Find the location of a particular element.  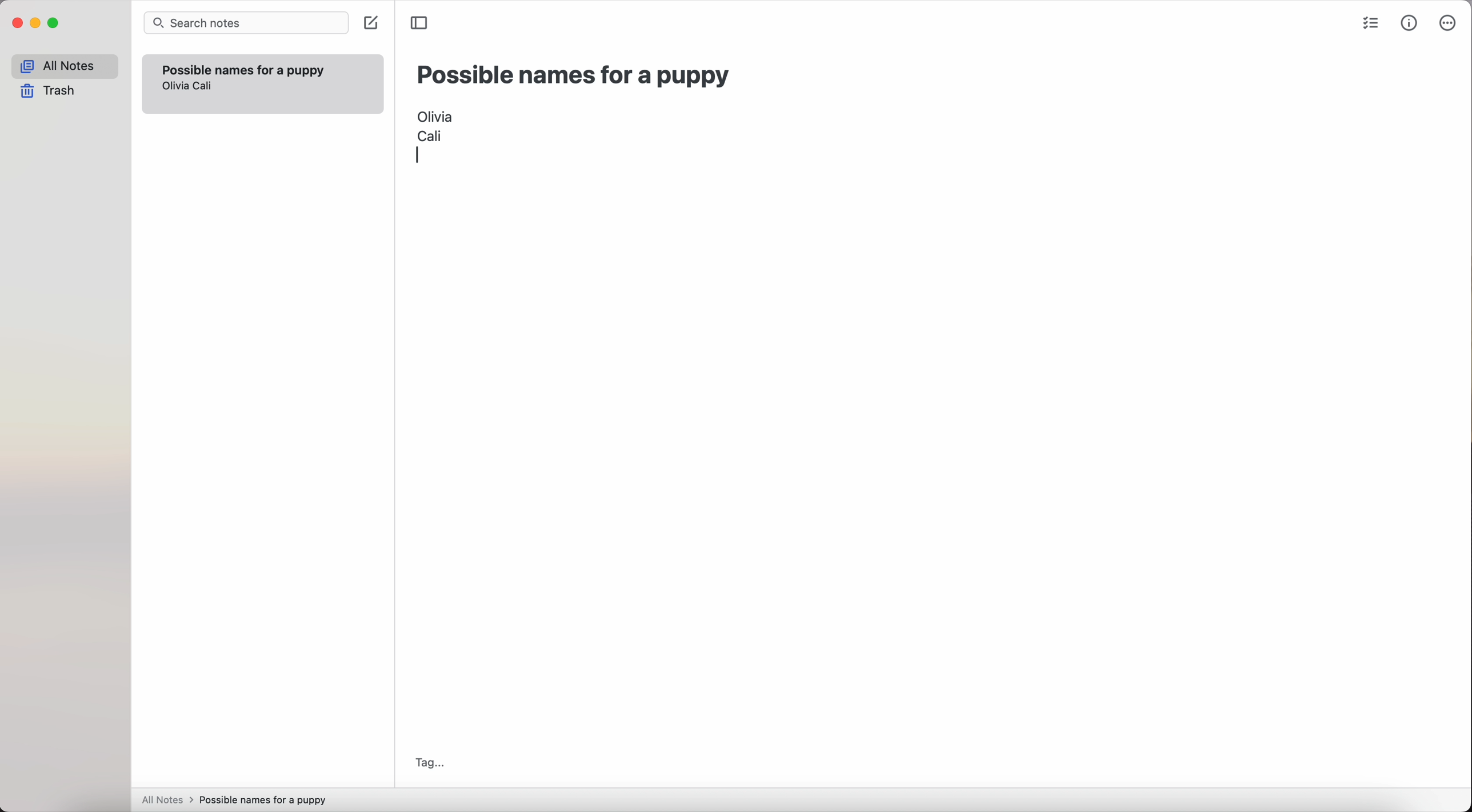

possible names for a puppy note is located at coordinates (243, 68).